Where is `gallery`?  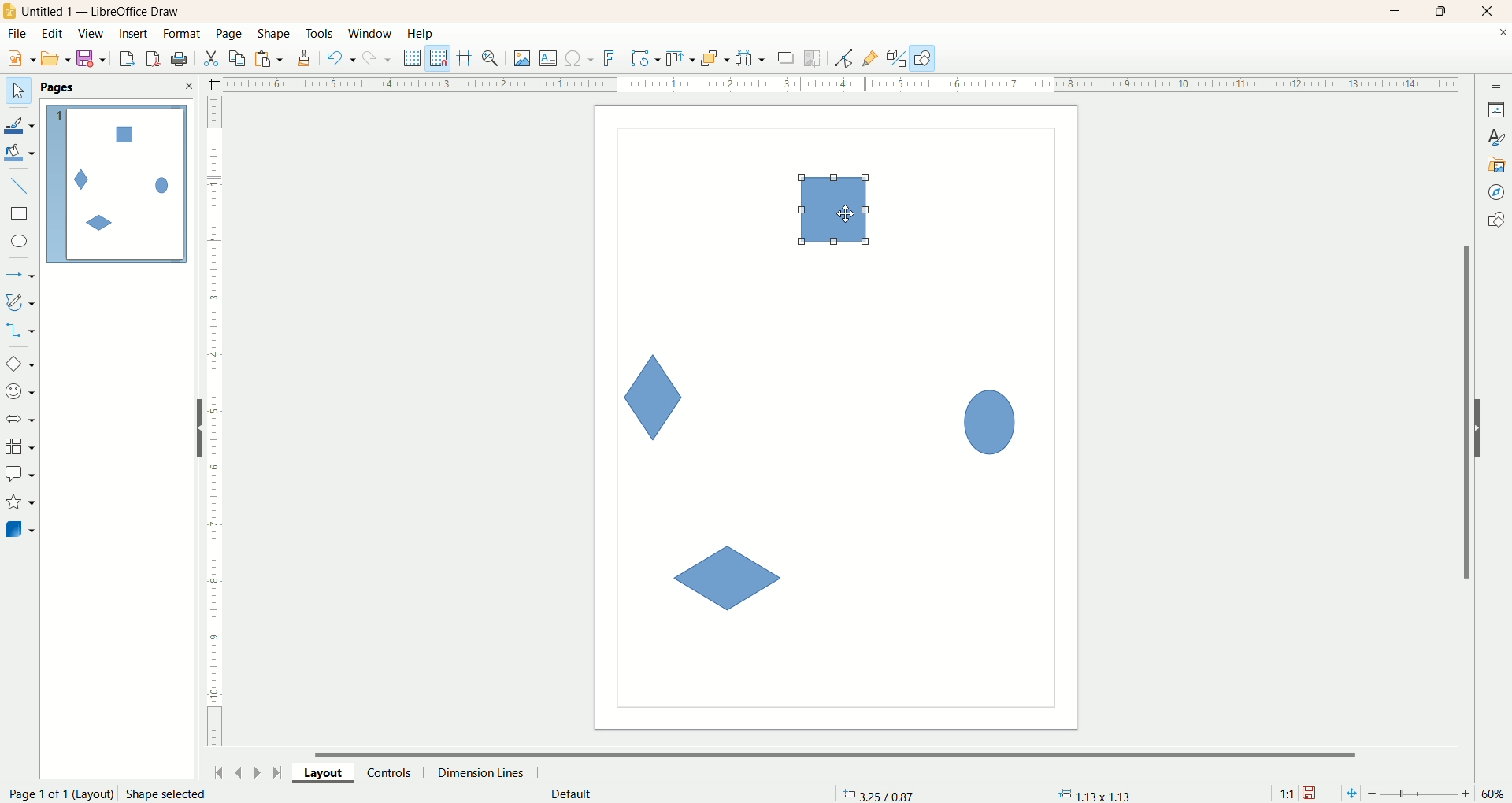
gallery is located at coordinates (1497, 163).